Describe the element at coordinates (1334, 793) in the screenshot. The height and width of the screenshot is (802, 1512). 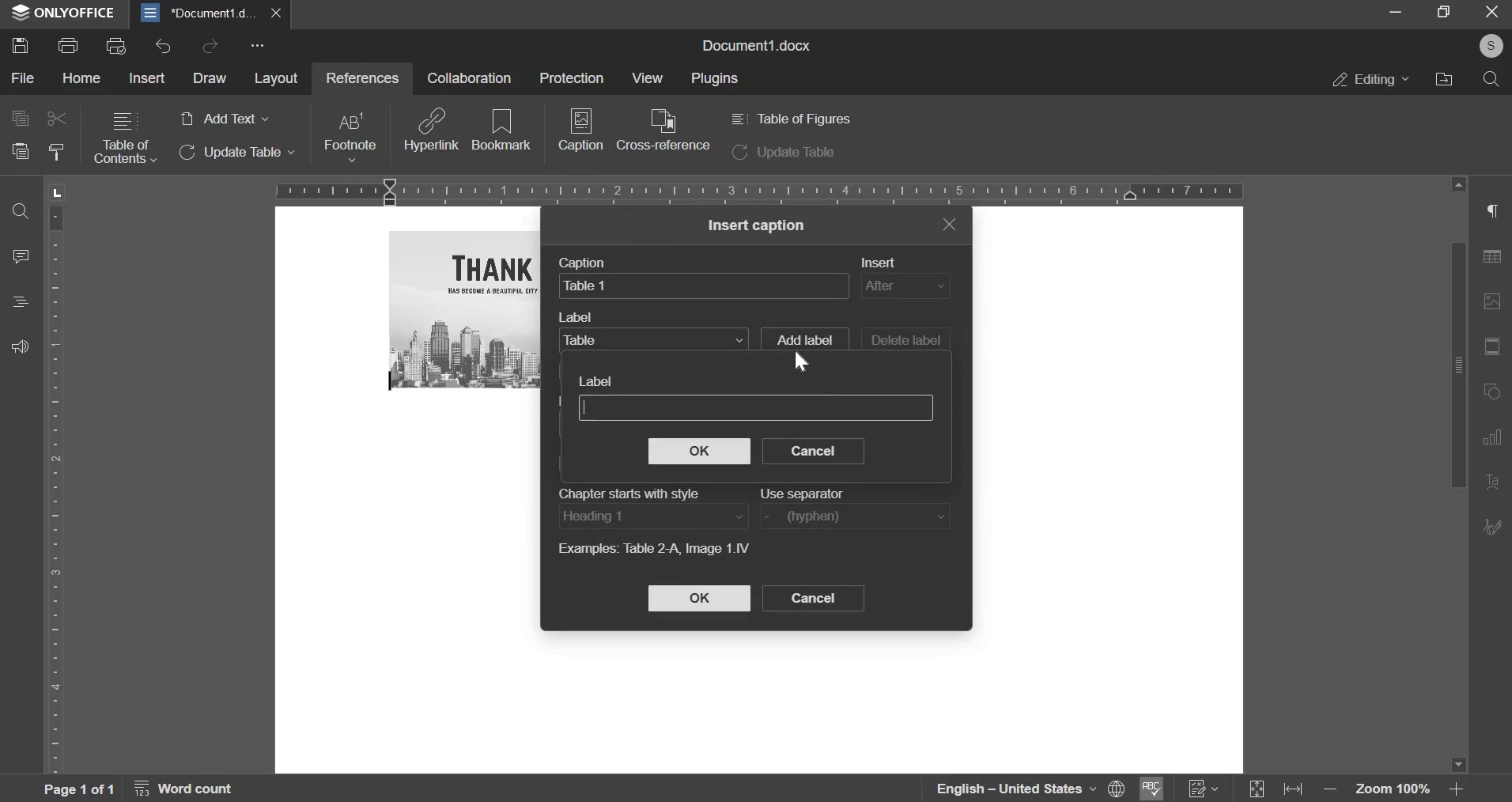
I see `Zoom out` at that location.